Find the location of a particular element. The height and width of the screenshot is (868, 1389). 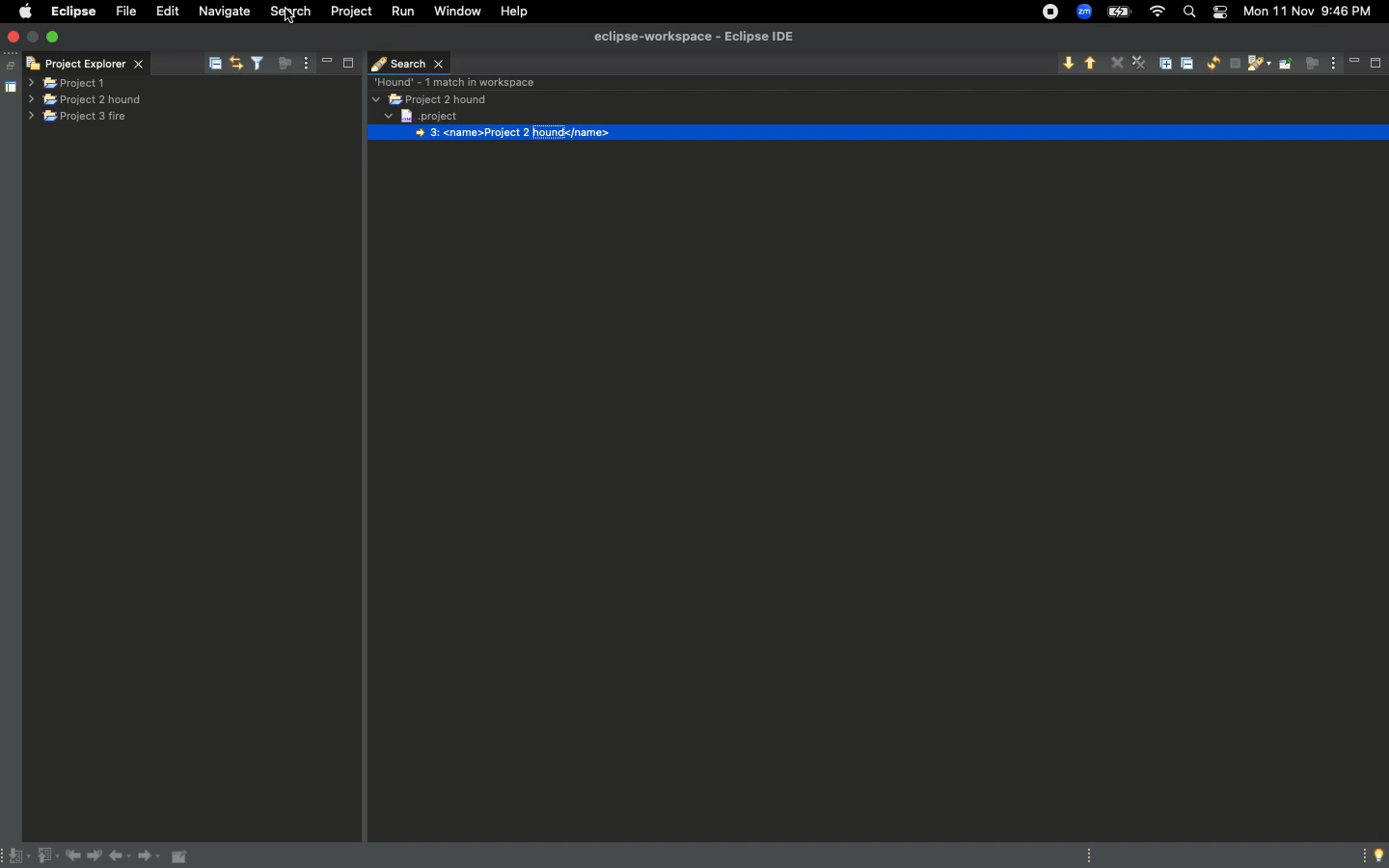

Mon 11 Nov 9:45 PM is located at coordinates (1314, 11).